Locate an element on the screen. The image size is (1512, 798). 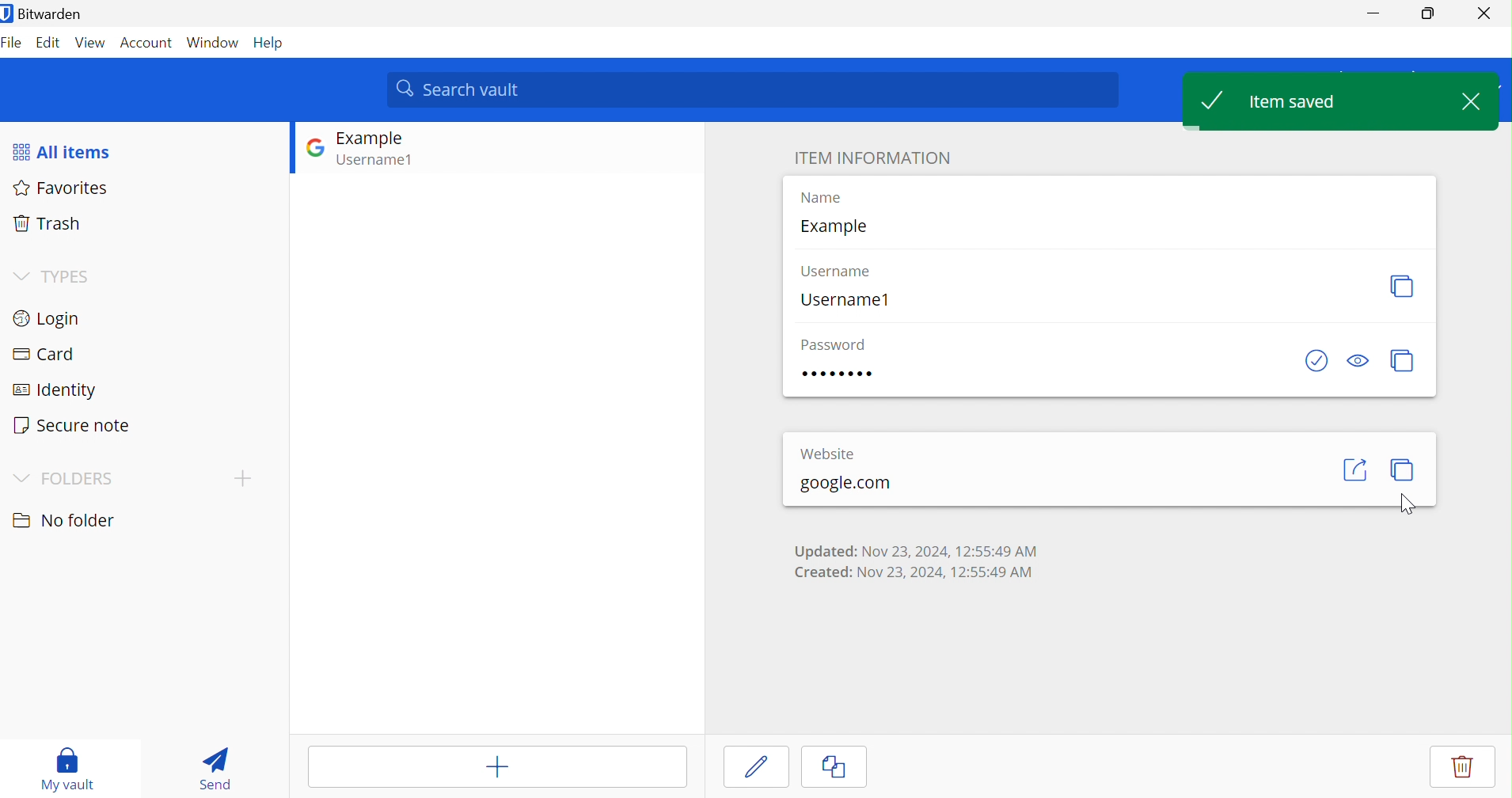
Drop Down is located at coordinates (20, 273).